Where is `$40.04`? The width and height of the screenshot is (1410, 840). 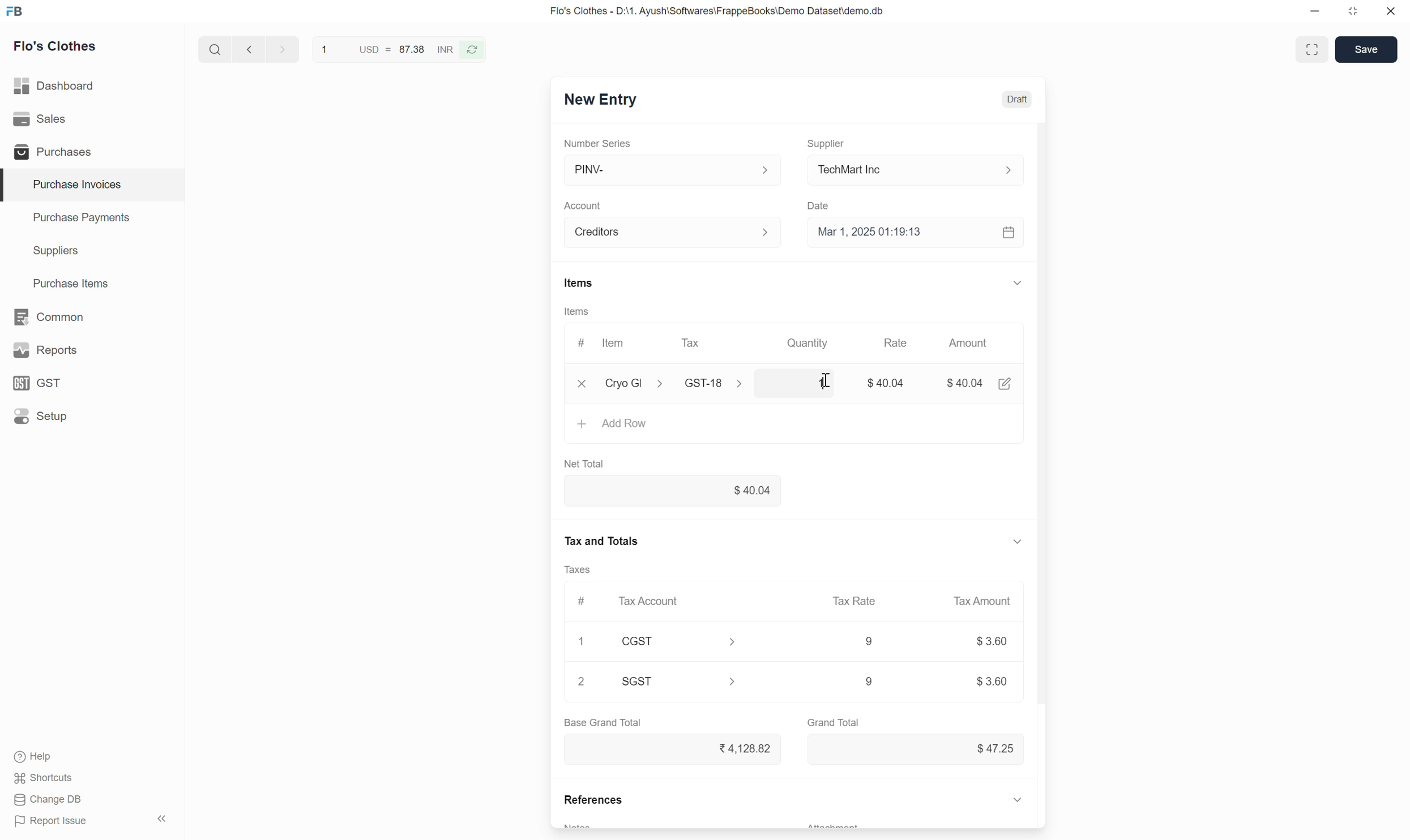
$40.04 is located at coordinates (673, 491).